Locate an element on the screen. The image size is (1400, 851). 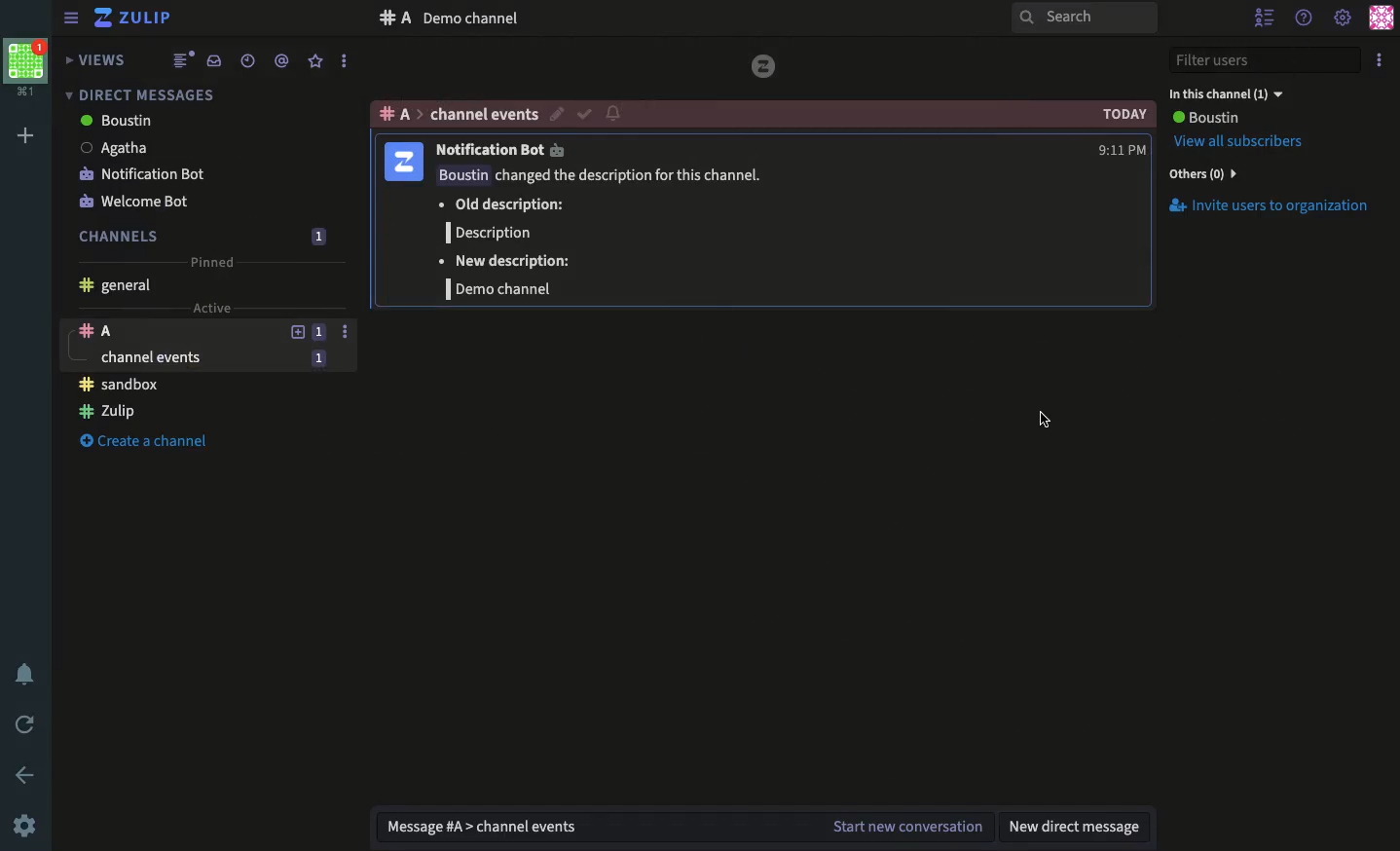
#A is located at coordinates (391, 114).